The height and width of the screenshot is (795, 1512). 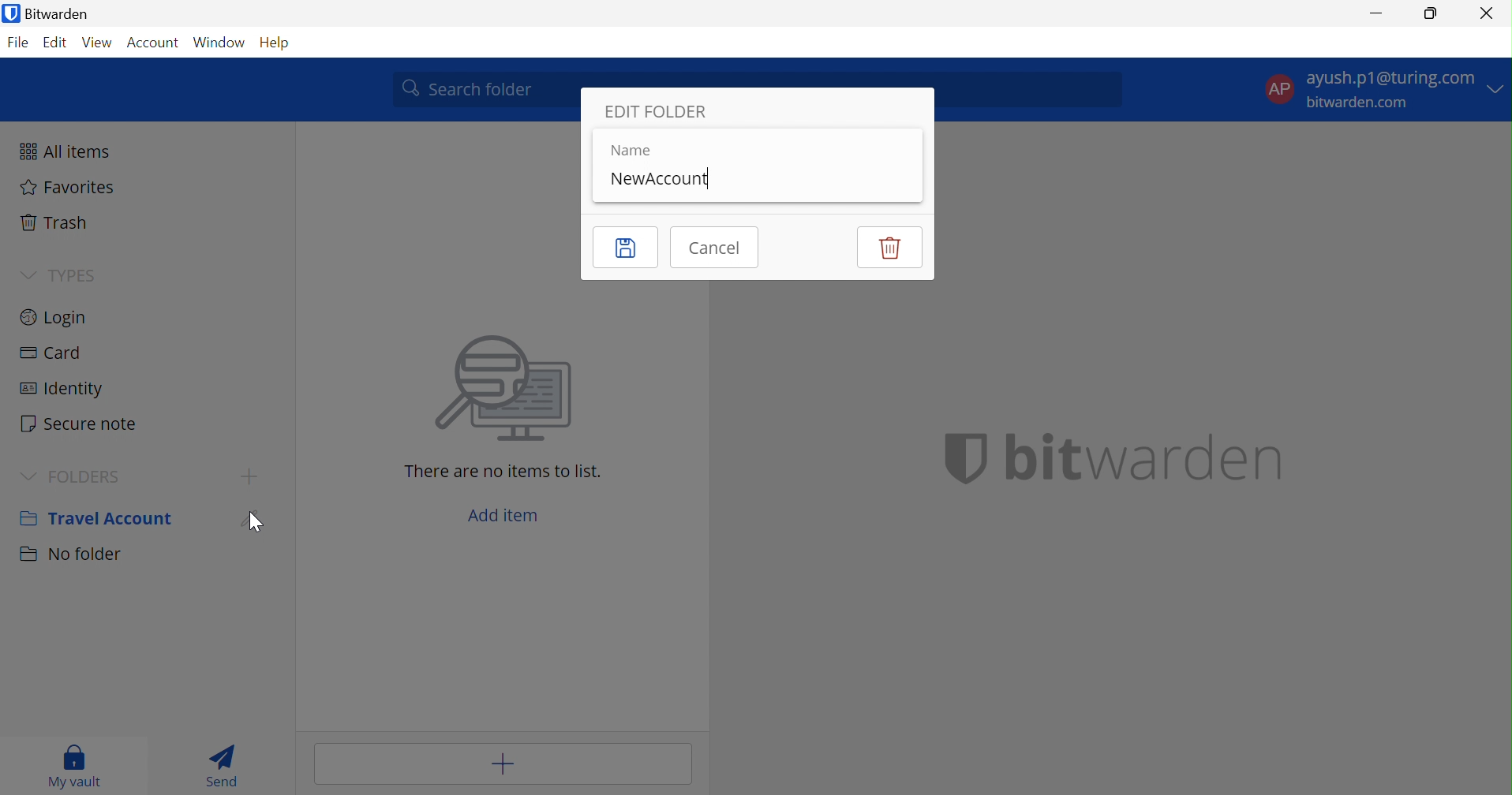 I want to click on TYPES, so click(x=74, y=274).